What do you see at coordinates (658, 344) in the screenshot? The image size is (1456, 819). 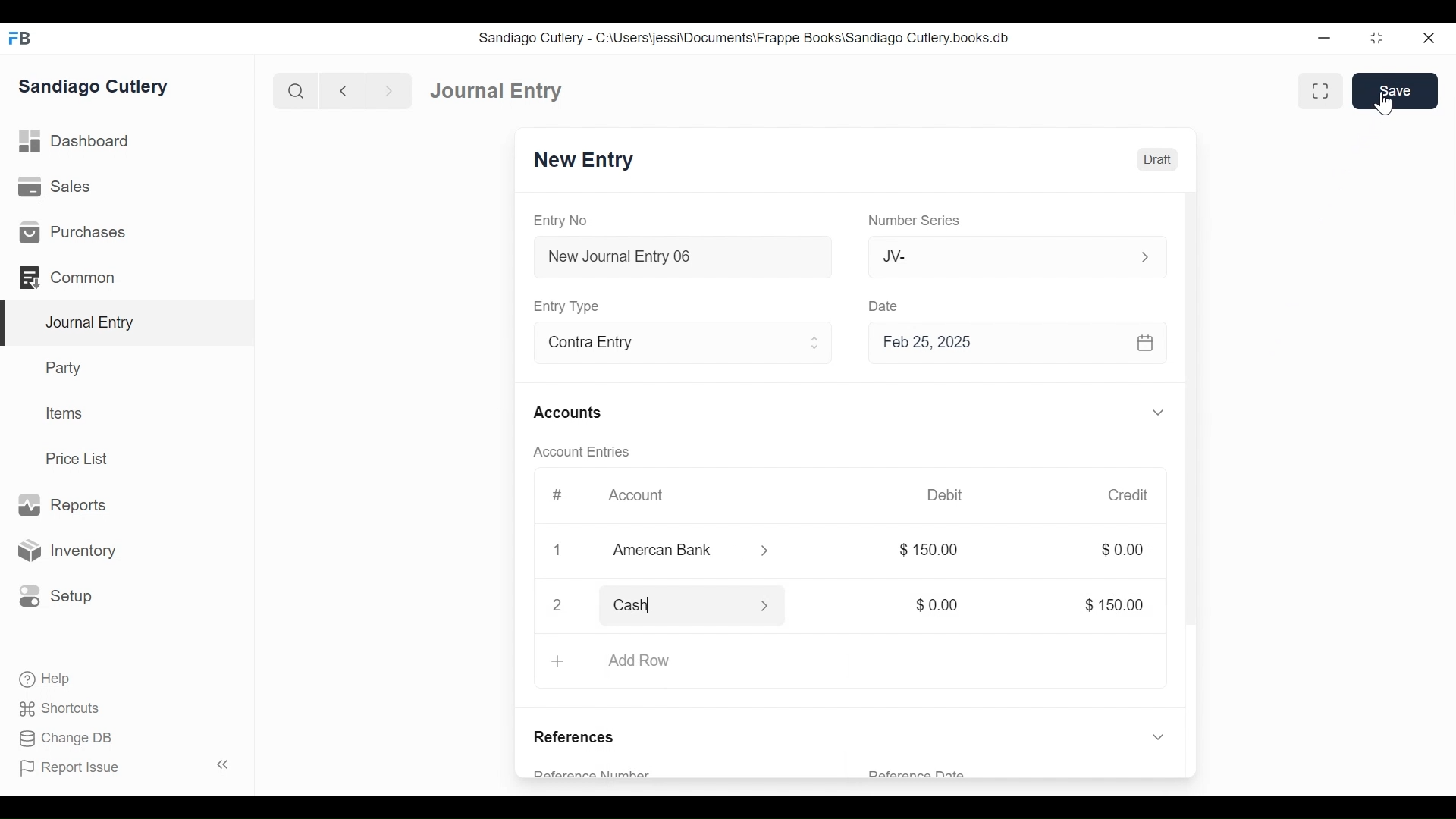 I see `Contra Entry` at bounding box center [658, 344].